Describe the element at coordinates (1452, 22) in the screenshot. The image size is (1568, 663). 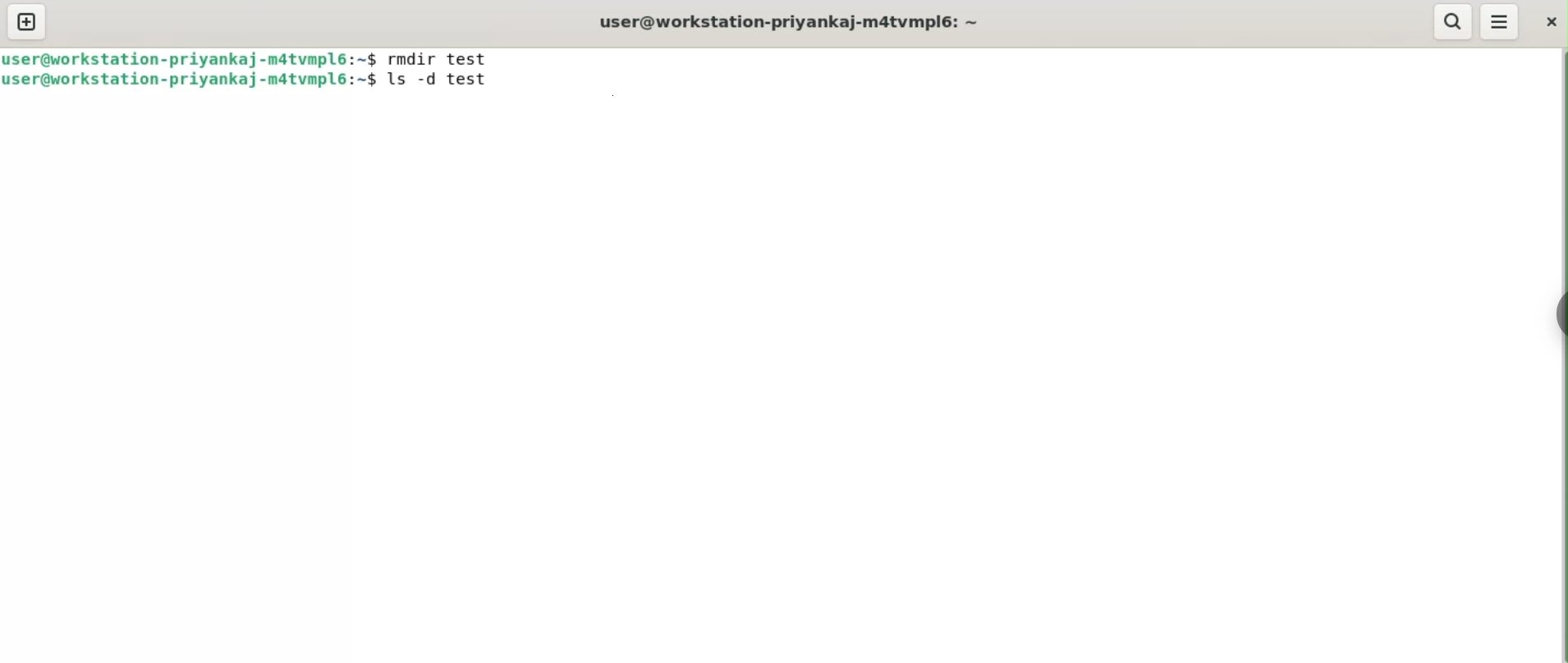
I see `search` at that location.